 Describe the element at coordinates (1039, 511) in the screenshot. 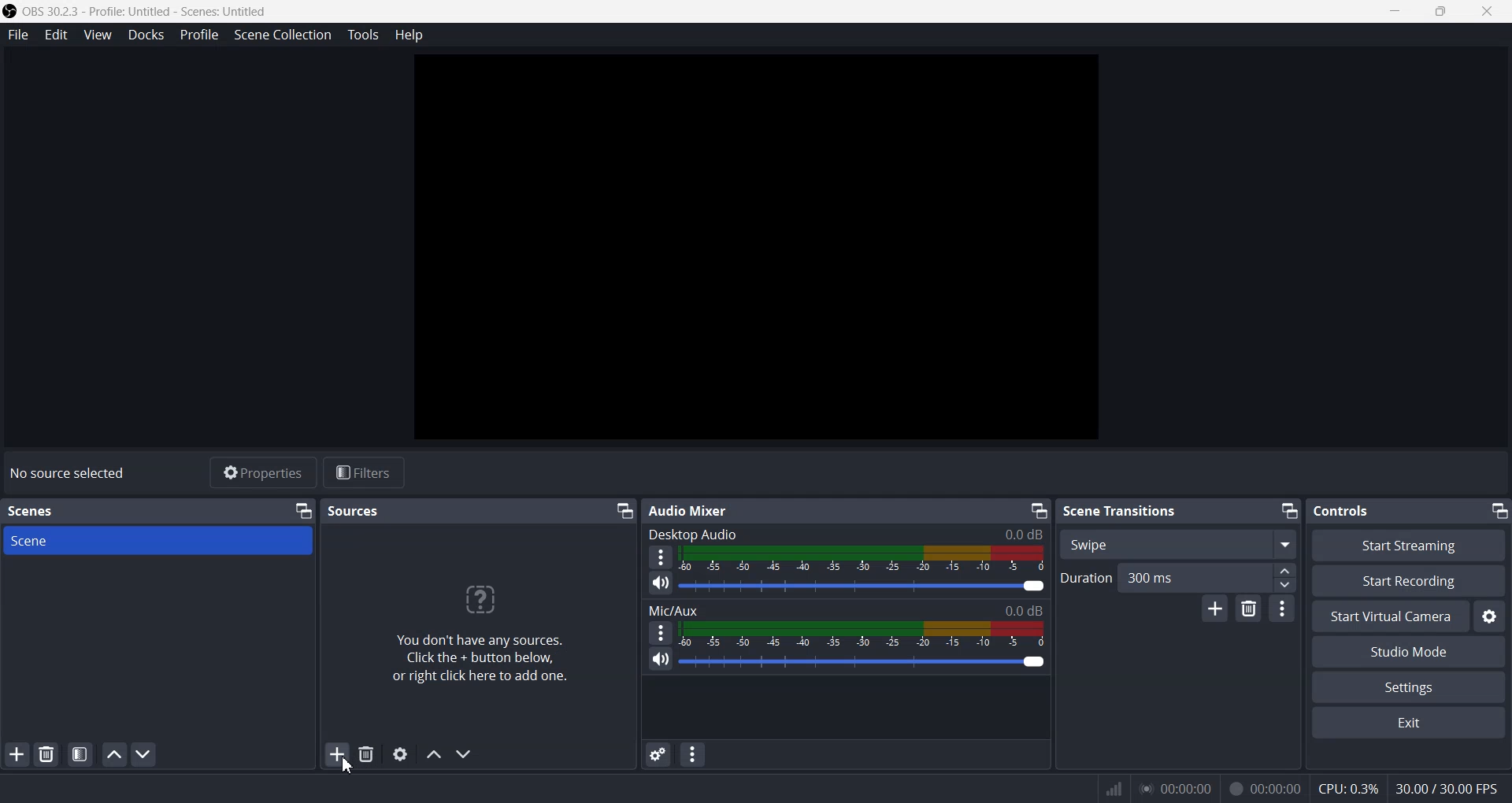

I see `Minimize` at that location.